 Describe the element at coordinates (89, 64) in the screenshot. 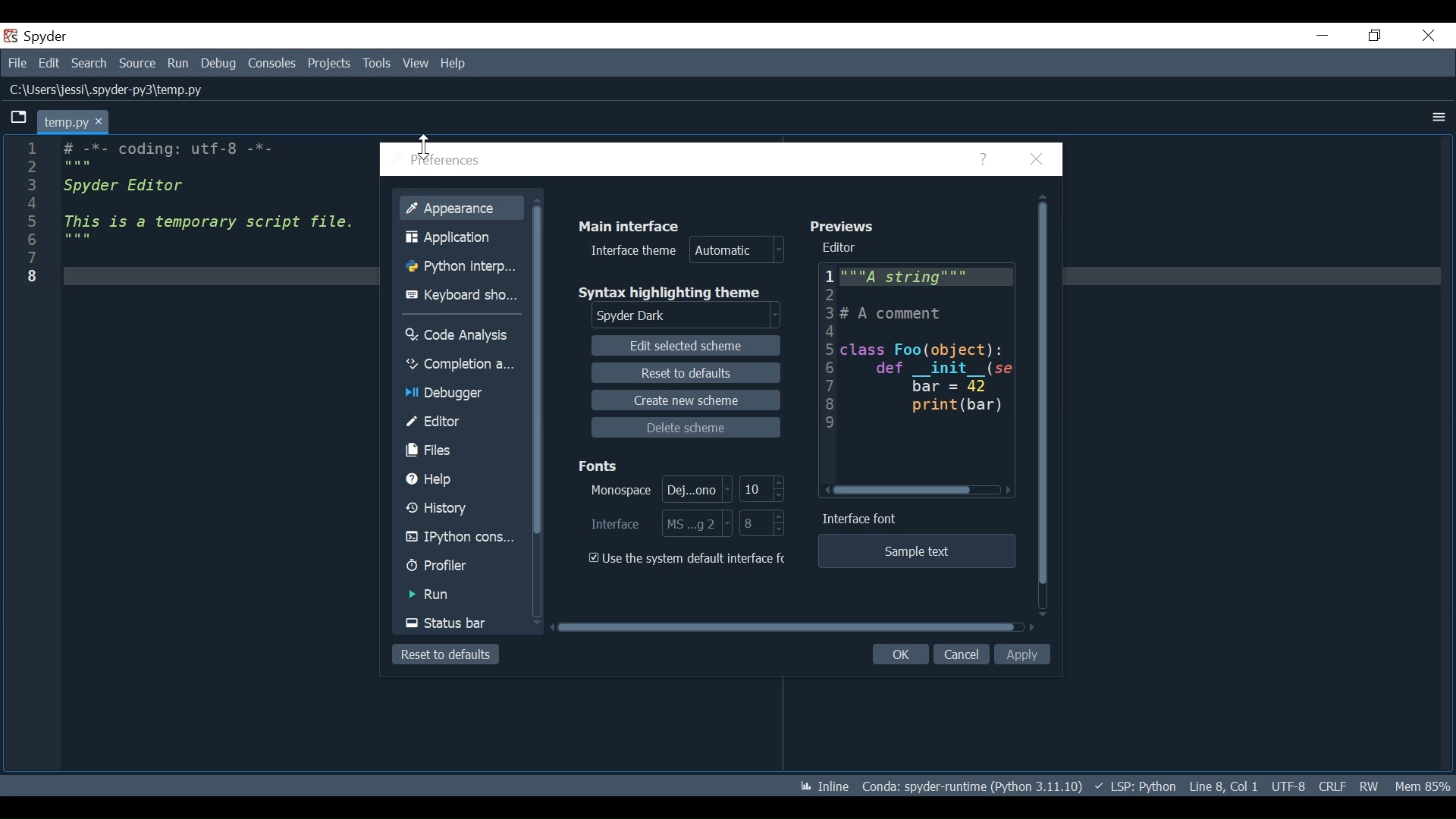

I see `Search` at that location.